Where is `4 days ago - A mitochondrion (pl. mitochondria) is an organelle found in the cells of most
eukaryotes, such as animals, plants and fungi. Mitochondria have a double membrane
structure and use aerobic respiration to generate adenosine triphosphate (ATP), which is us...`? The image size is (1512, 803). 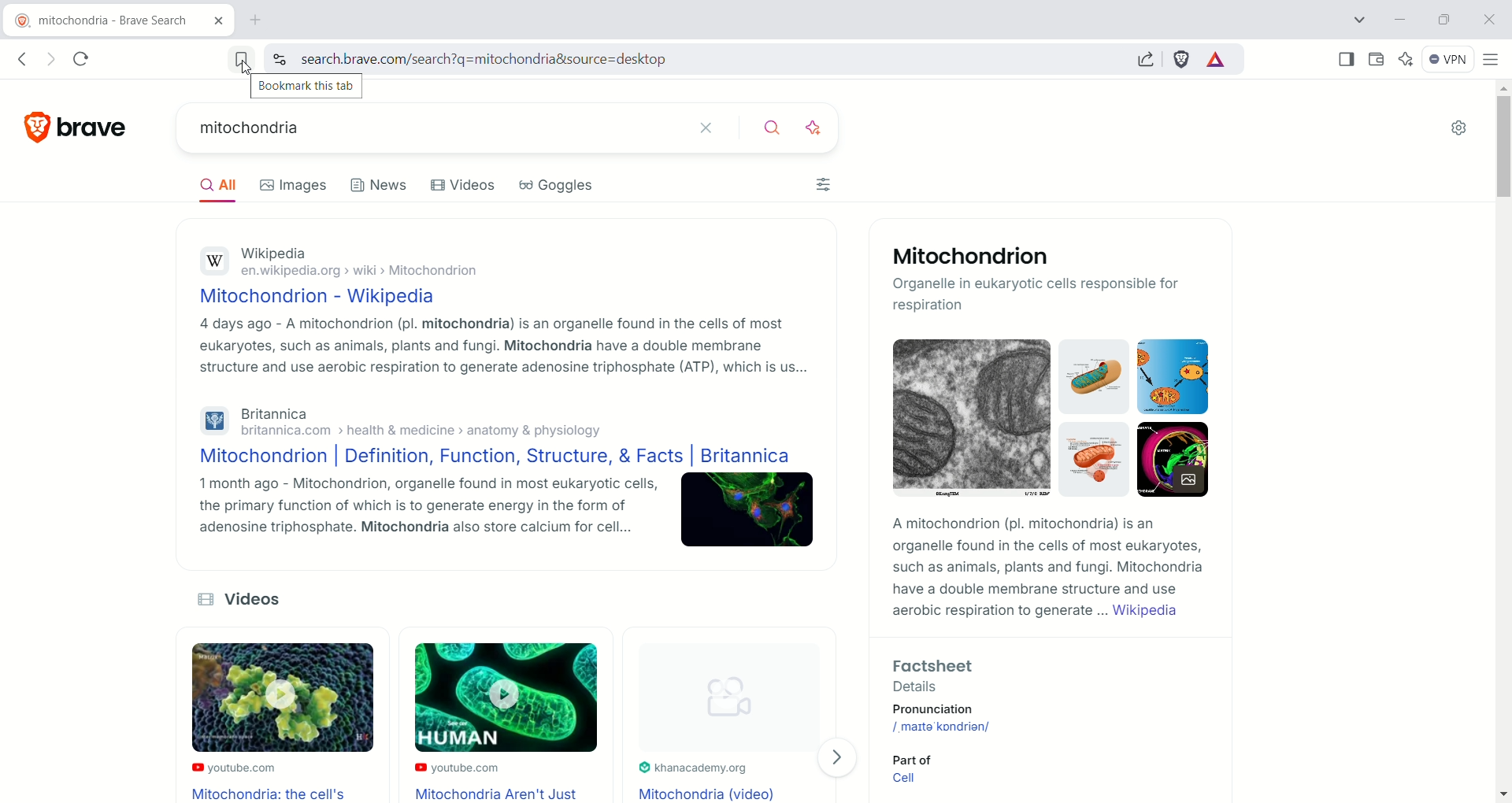
4 days ago - A mitochondrion (pl. mitochondria) is an organelle found in the cells of most
eukaryotes, such as animals, plants and fungi. Mitochondria have a double membrane
structure and use aerobic respiration to generate adenosine triphosphate (ATP), which is us... is located at coordinates (499, 347).